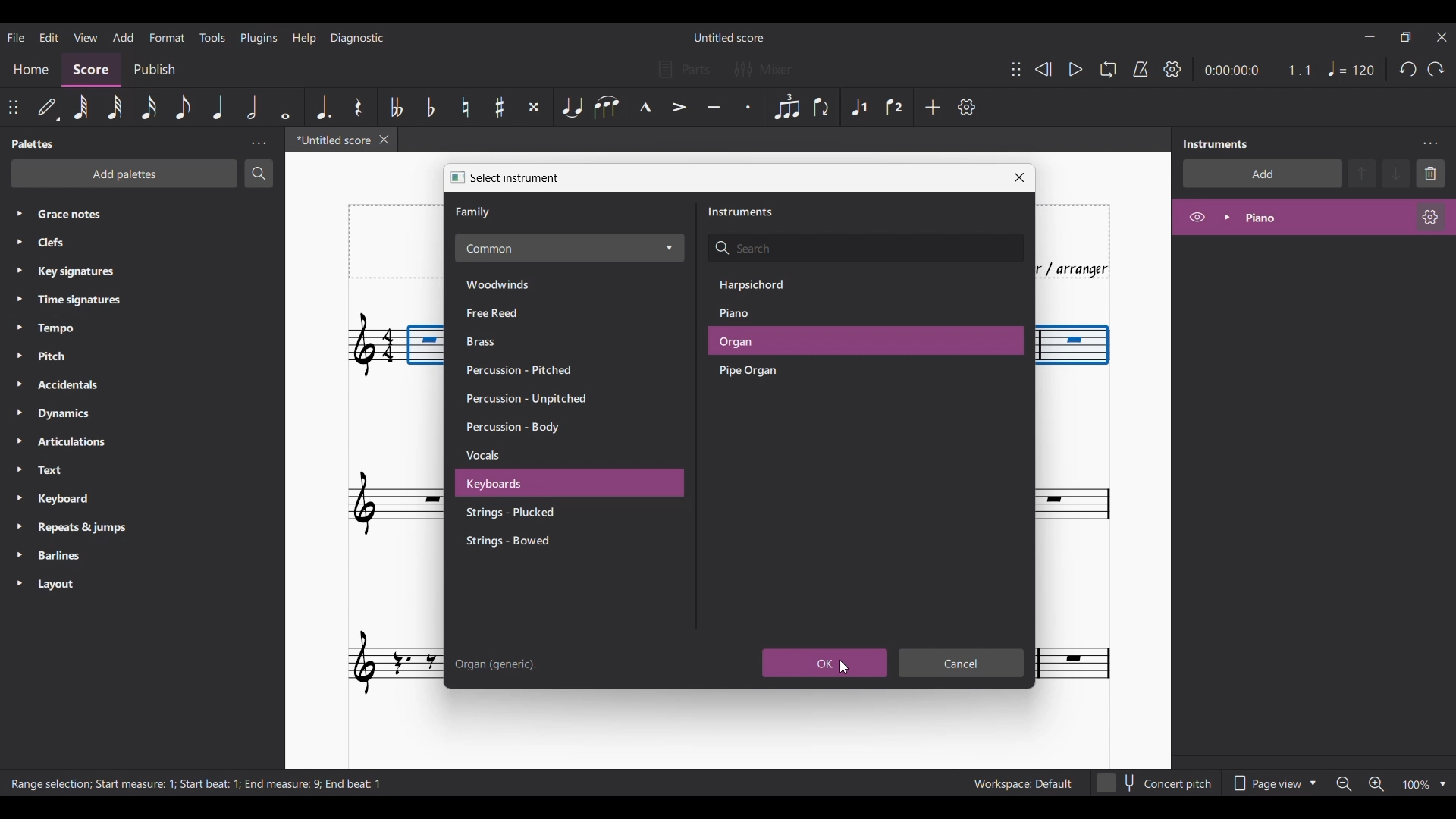 This screenshot has height=819, width=1456. I want to click on strings - Plucked, so click(526, 513).